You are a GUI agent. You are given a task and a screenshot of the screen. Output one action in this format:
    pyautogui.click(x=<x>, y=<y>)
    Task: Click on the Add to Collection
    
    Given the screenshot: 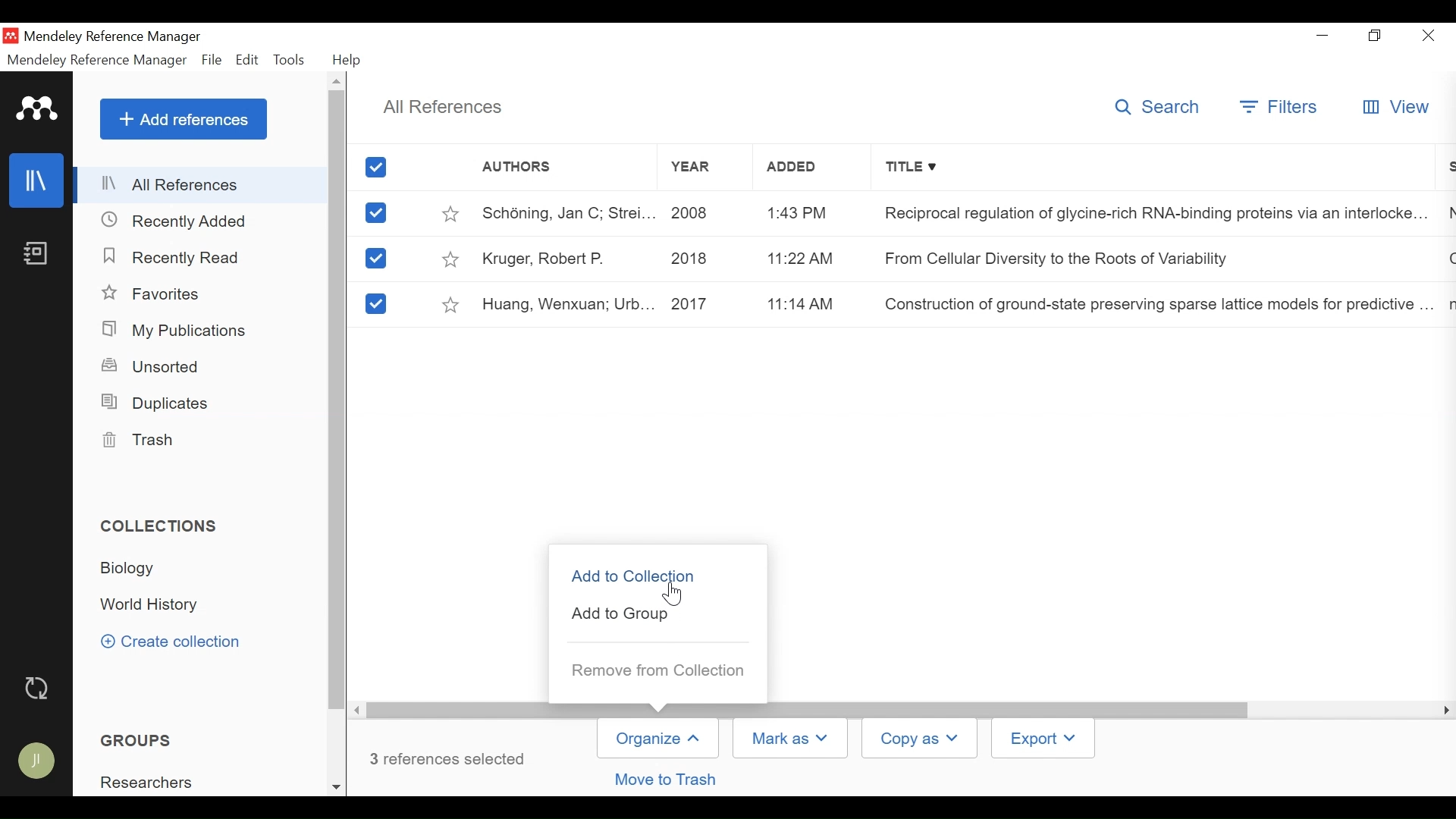 What is the action you would take?
    pyautogui.click(x=636, y=574)
    